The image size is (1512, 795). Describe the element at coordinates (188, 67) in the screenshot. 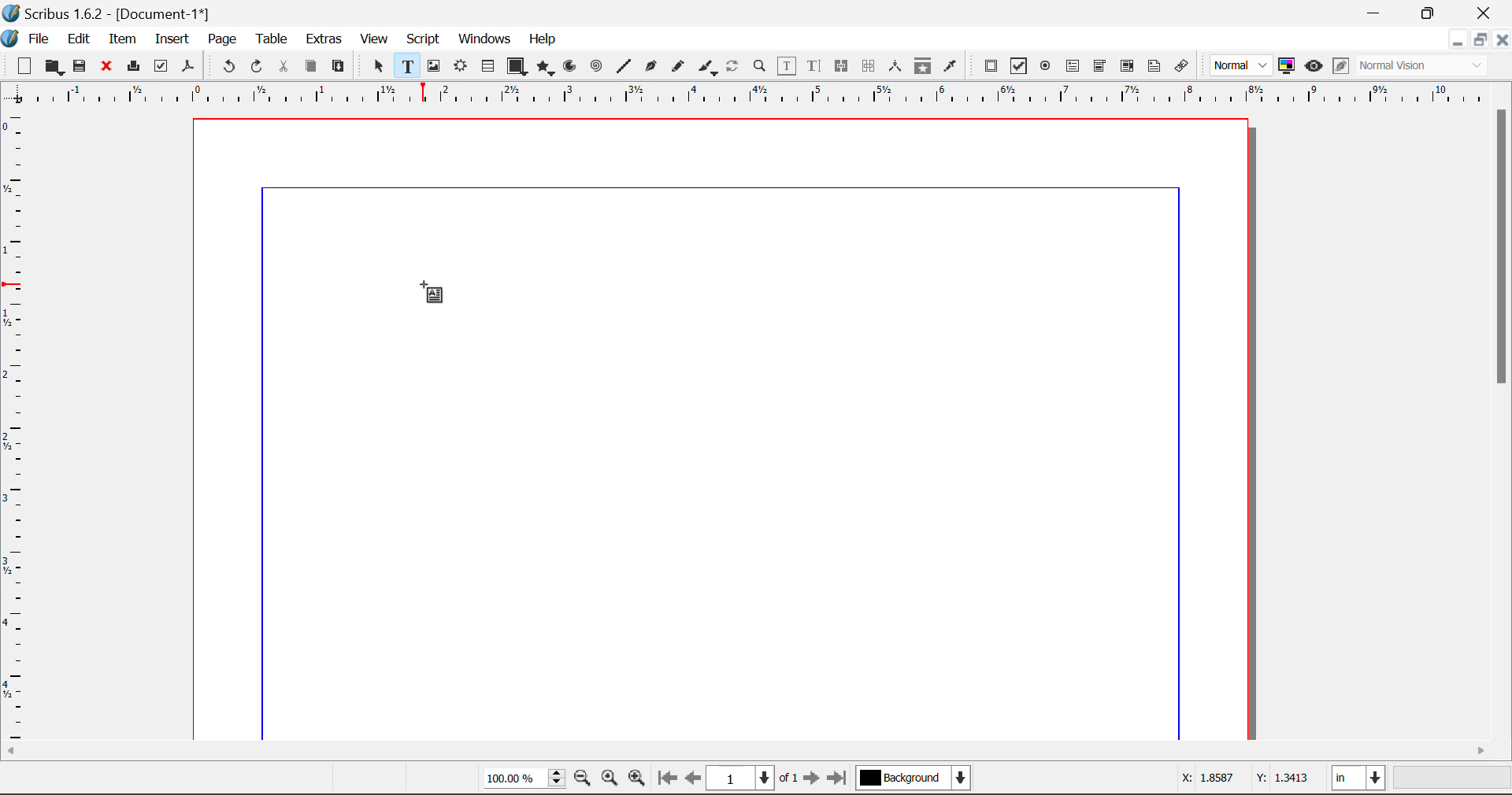

I see `Save as Pdf` at that location.